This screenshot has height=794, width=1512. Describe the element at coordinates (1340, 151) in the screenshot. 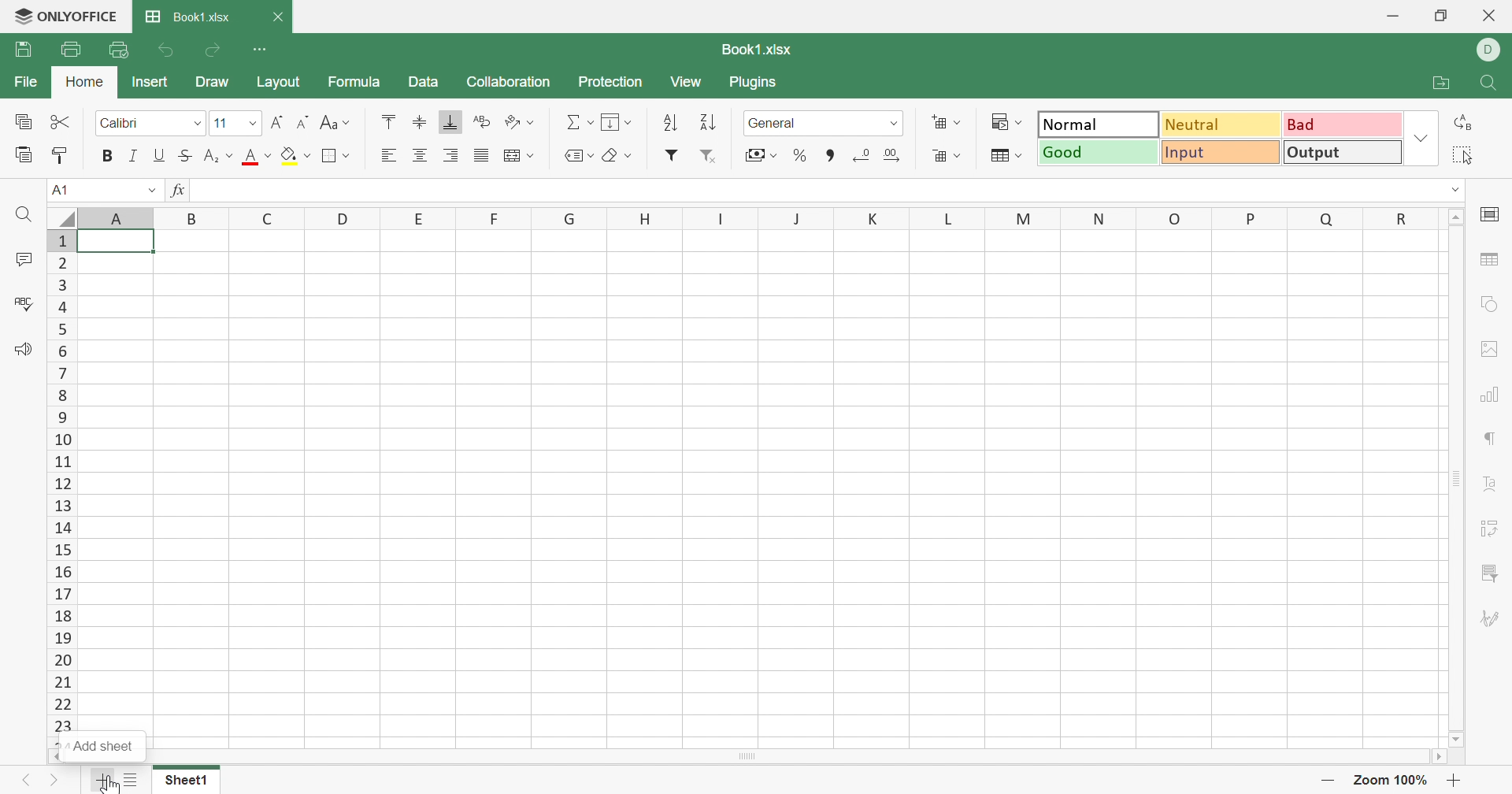

I see `Output` at that location.